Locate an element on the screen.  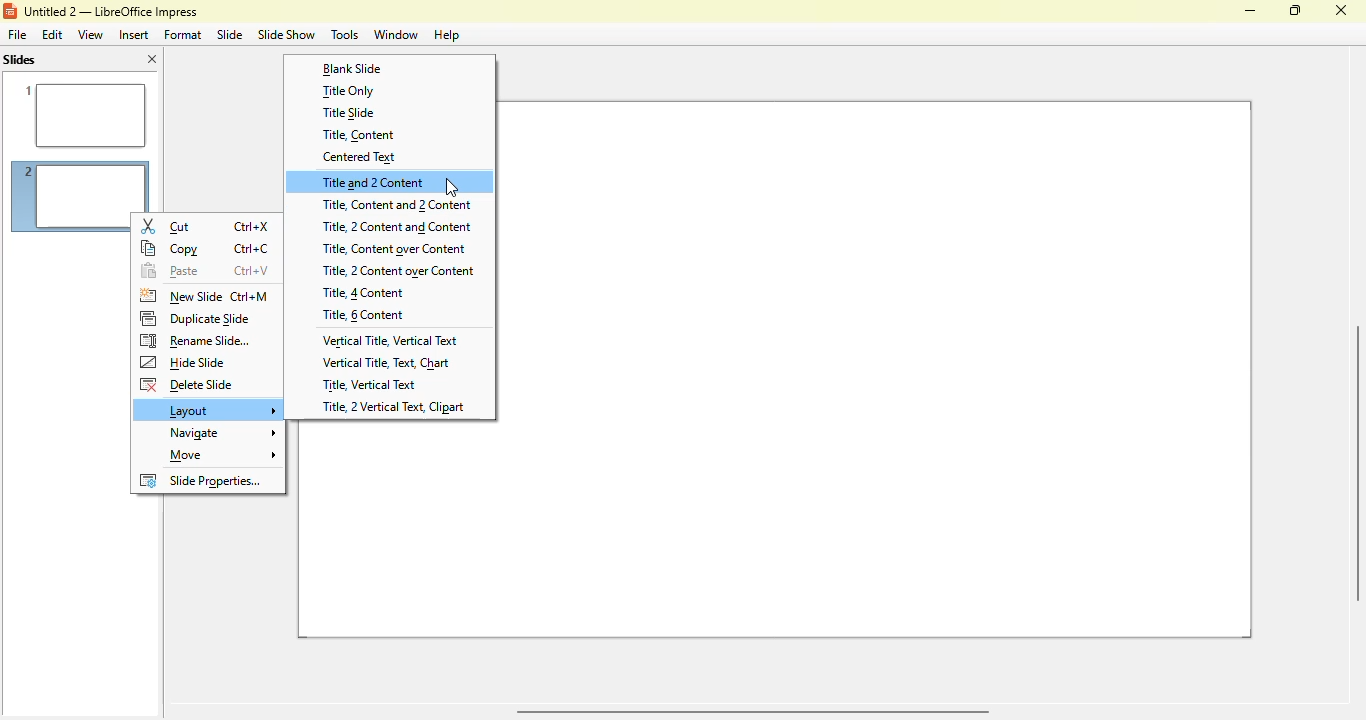
delete slide is located at coordinates (190, 385).